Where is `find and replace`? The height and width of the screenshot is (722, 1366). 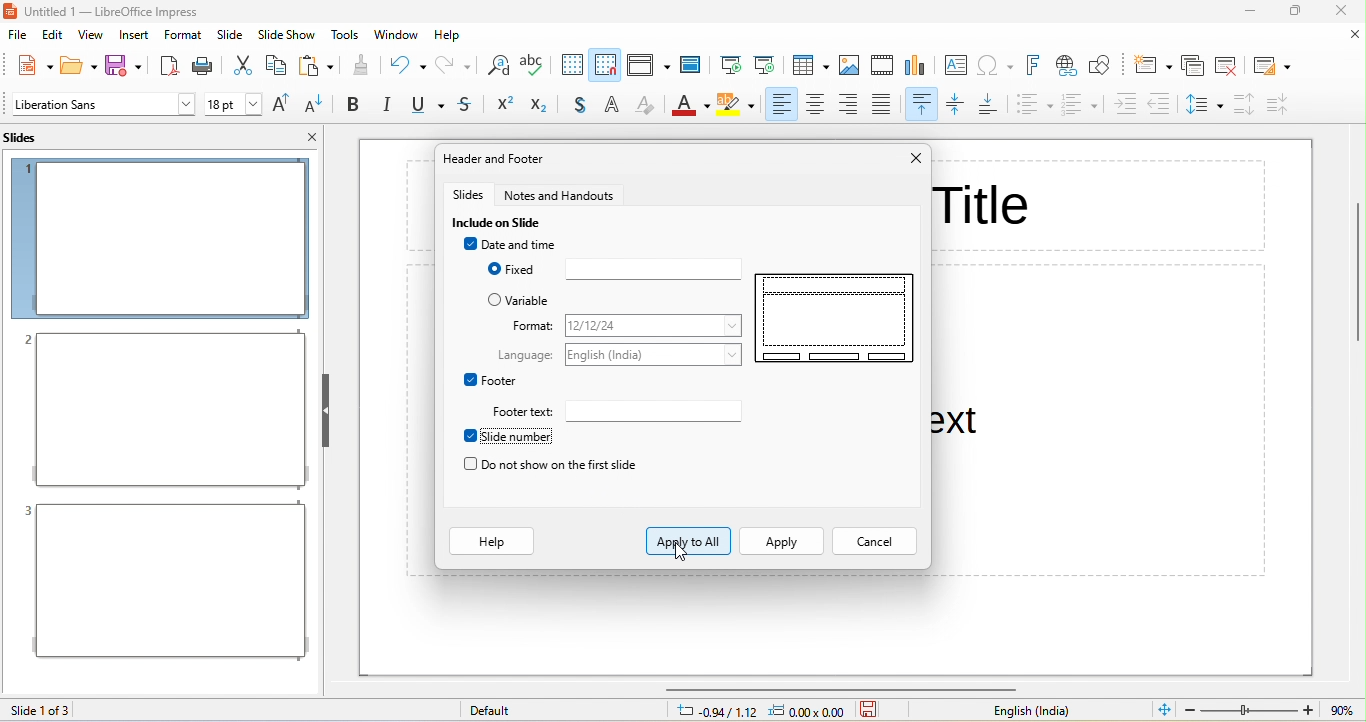 find and replace is located at coordinates (496, 67).